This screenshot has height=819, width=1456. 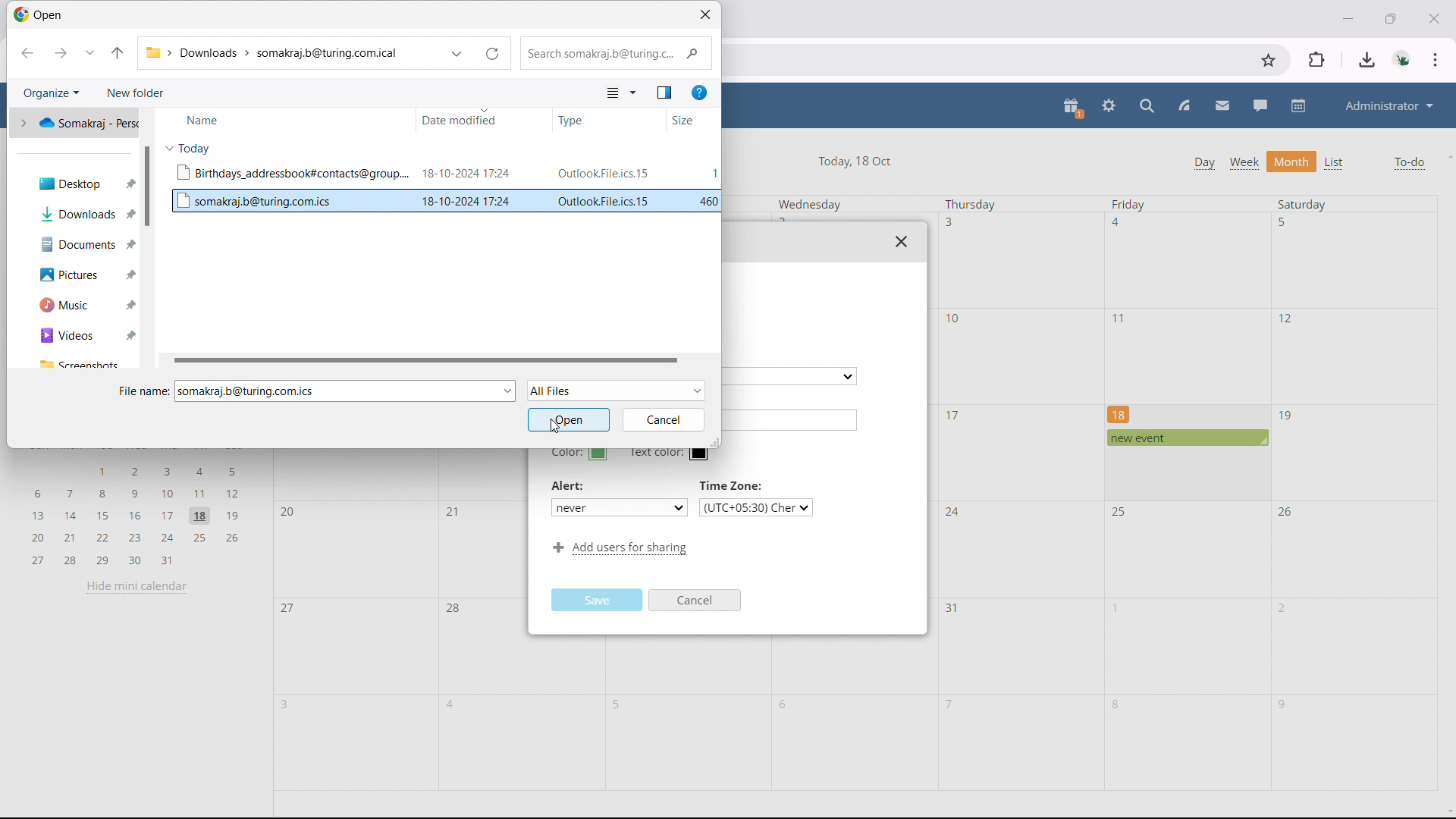 I want to click on Add users for sharing, so click(x=617, y=549).